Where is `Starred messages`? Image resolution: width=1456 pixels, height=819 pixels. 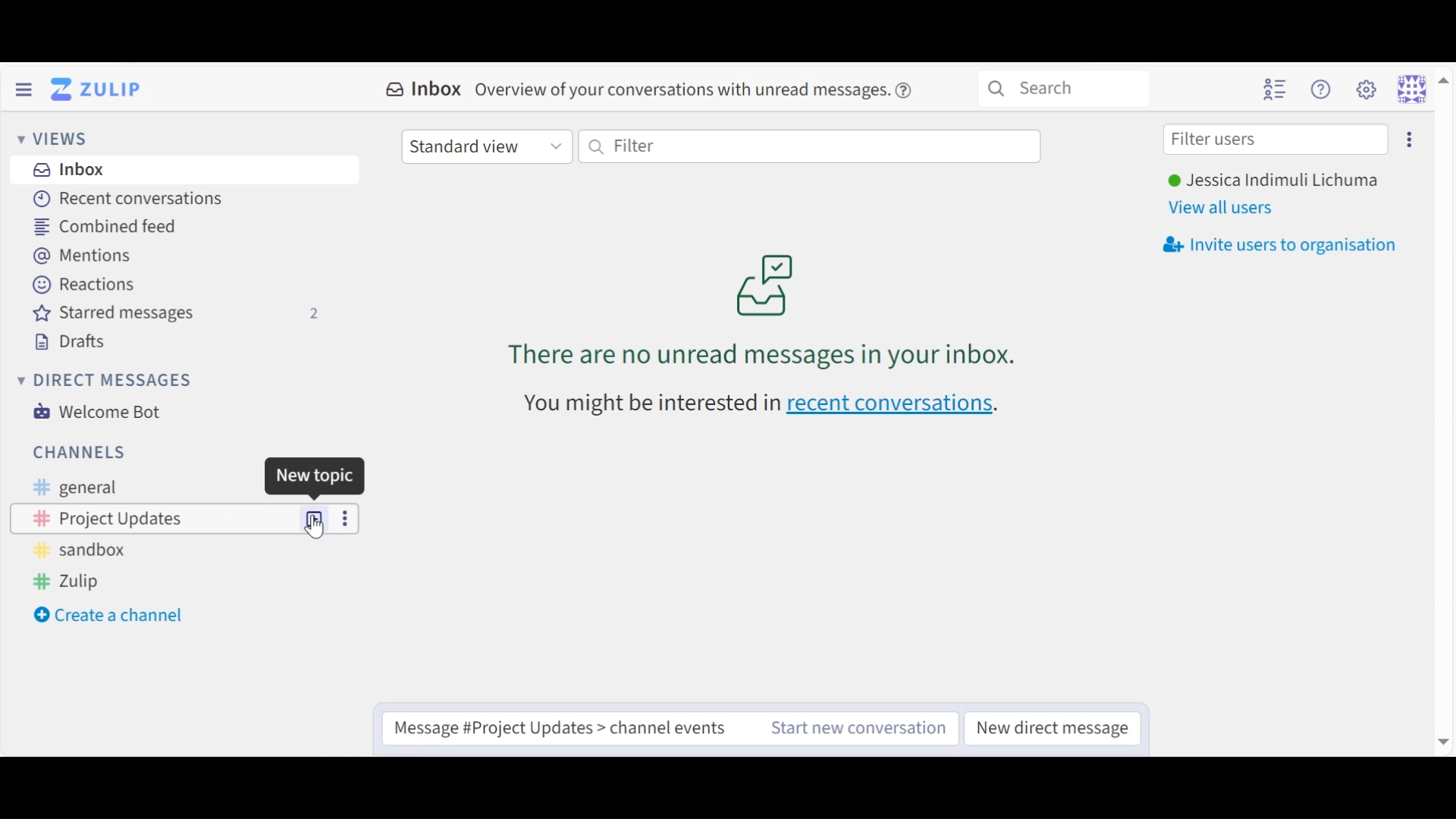 Starred messages is located at coordinates (176, 313).